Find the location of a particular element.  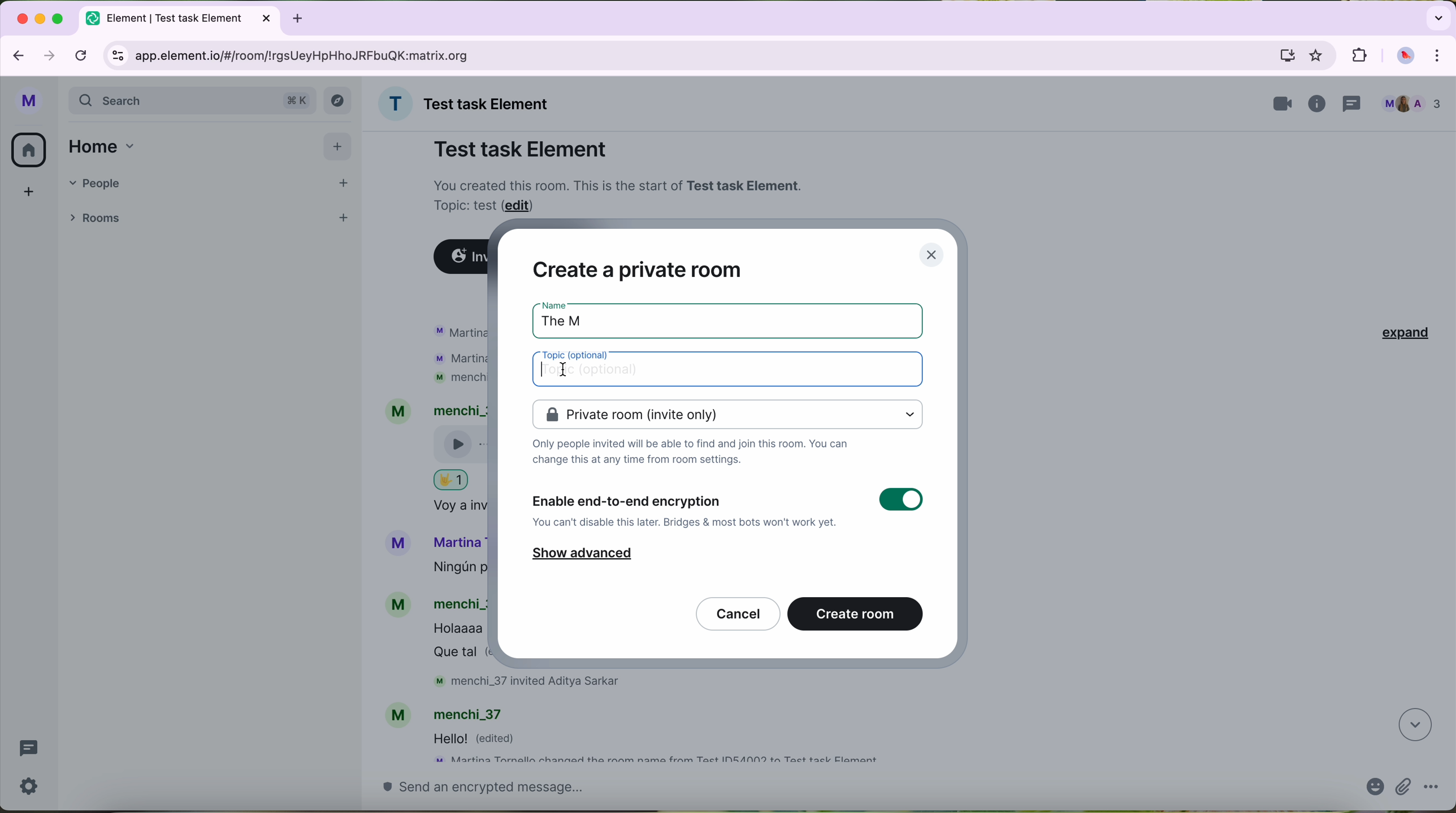

message is located at coordinates (482, 740).